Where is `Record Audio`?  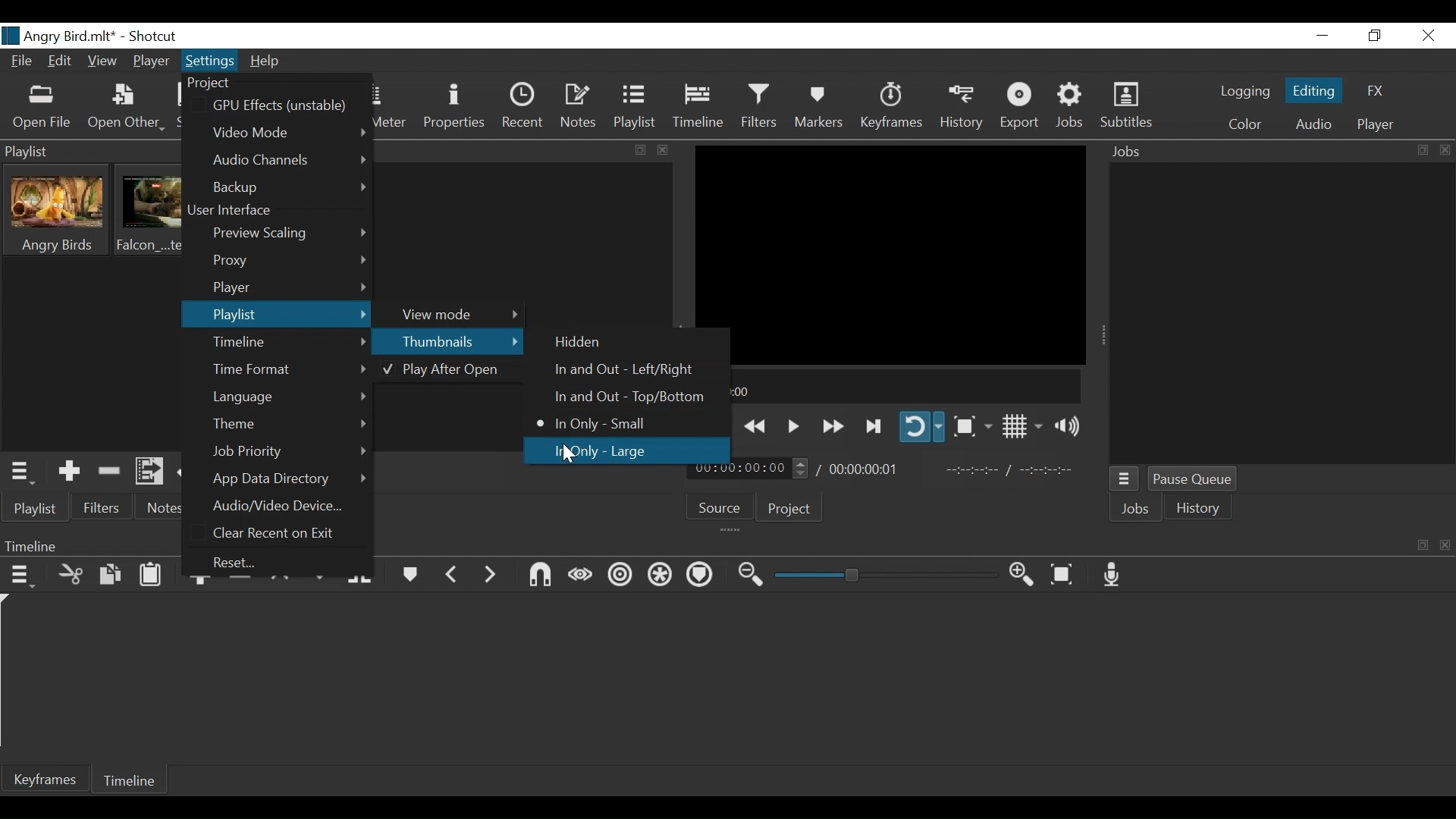
Record Audio is located at coordinates (1113, 575).